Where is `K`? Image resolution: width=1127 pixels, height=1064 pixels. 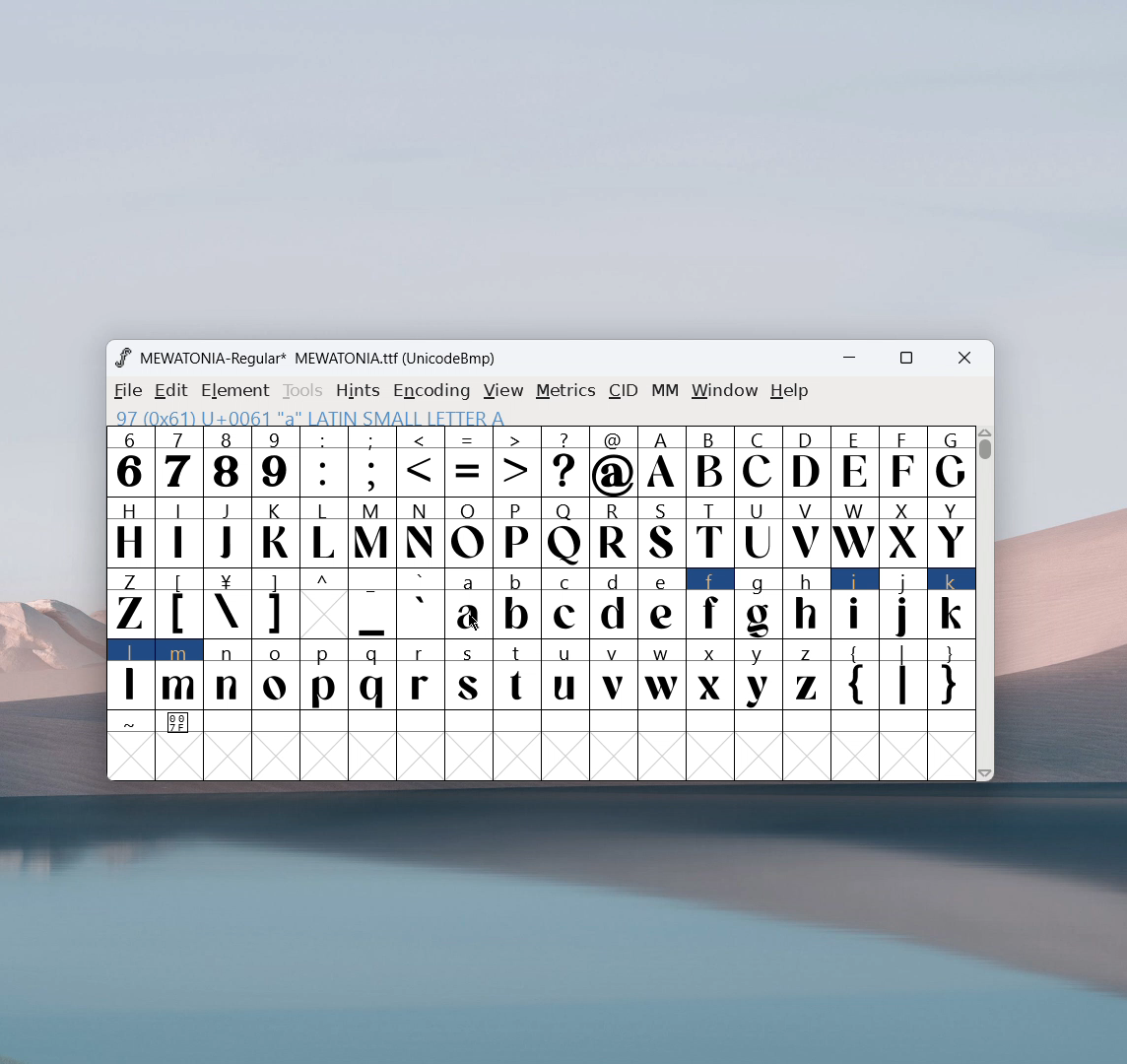 K is located at coordinates (277, 532).